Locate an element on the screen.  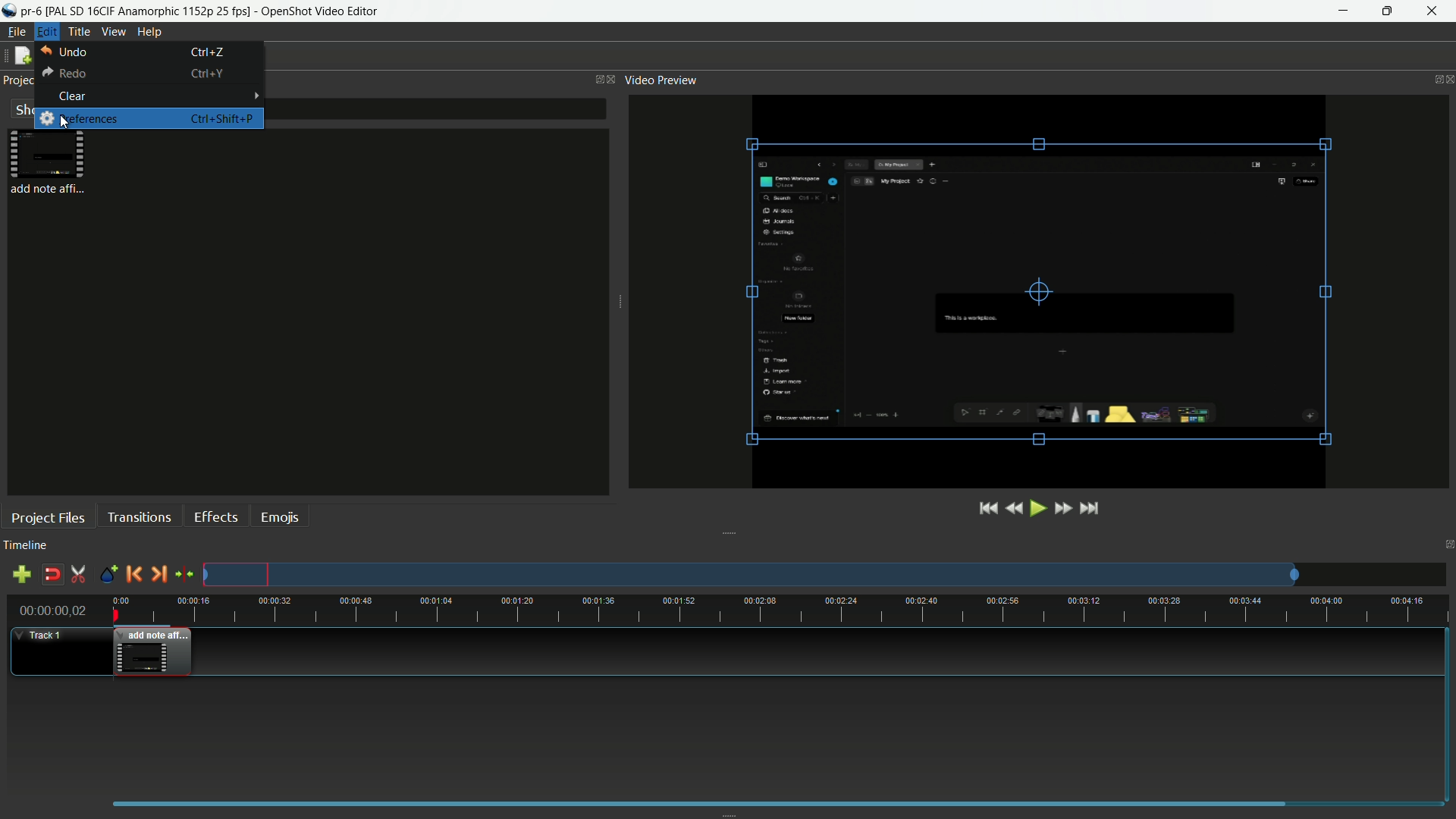
app icon is located at coordinates (9, 12).